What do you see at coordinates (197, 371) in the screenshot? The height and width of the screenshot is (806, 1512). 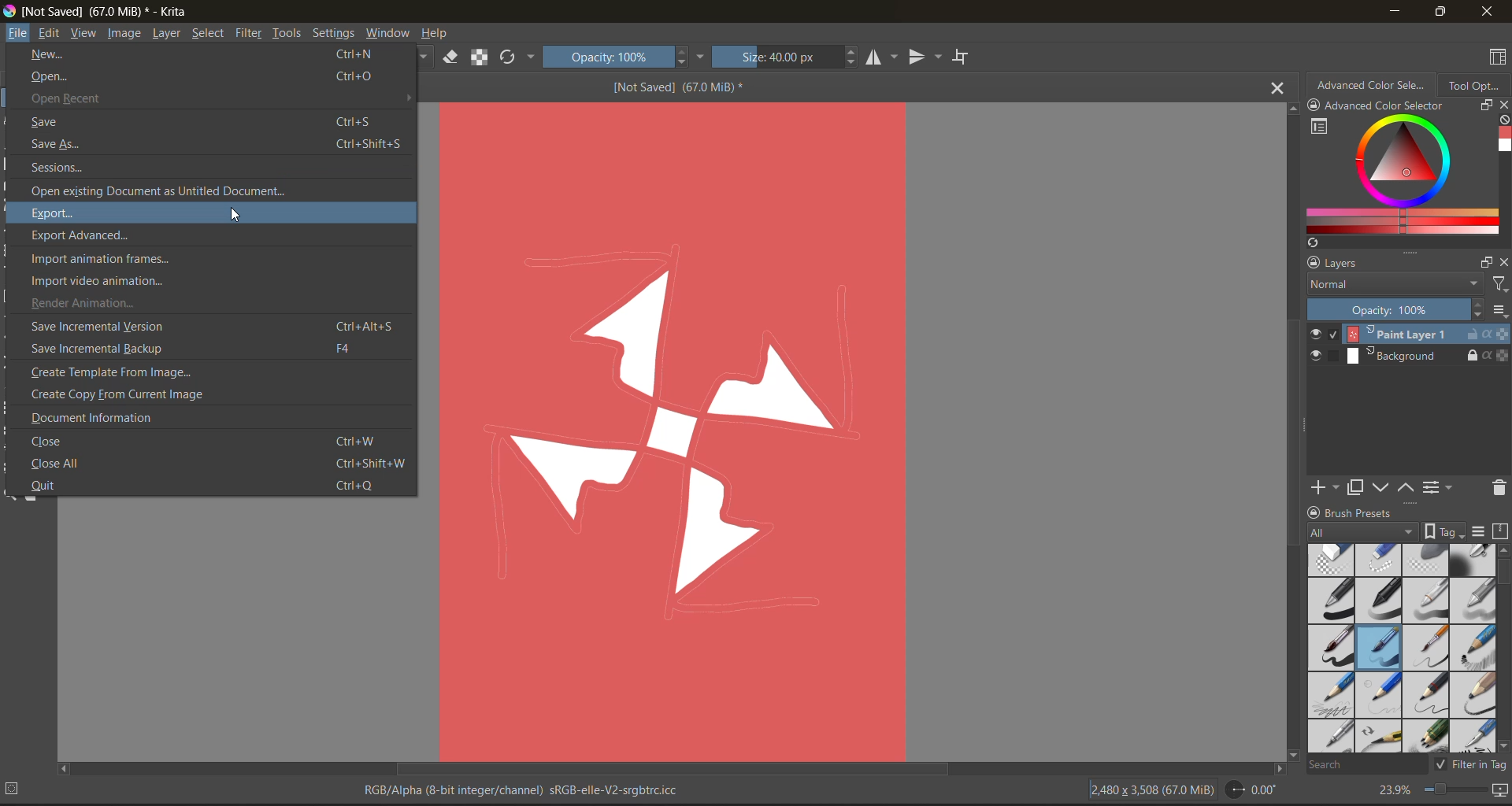 I see `create template from image` at bounding box center [197, 371].